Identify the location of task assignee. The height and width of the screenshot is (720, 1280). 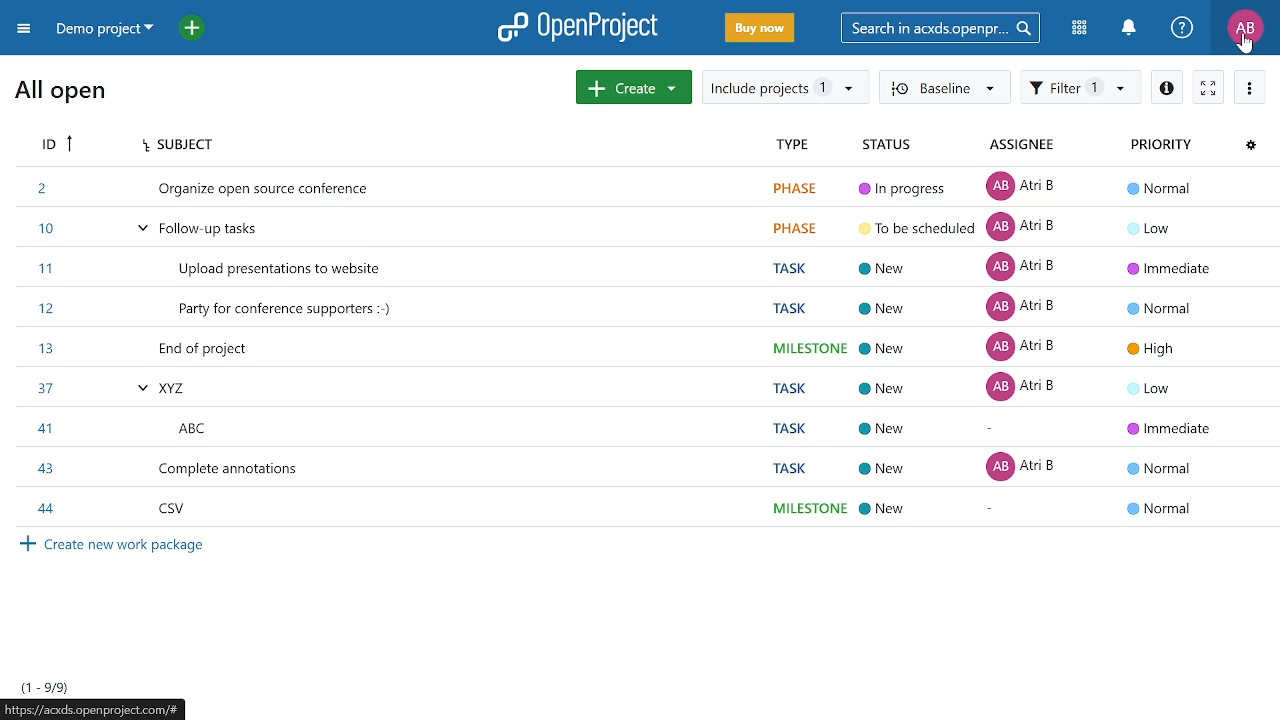
(1027, 347).